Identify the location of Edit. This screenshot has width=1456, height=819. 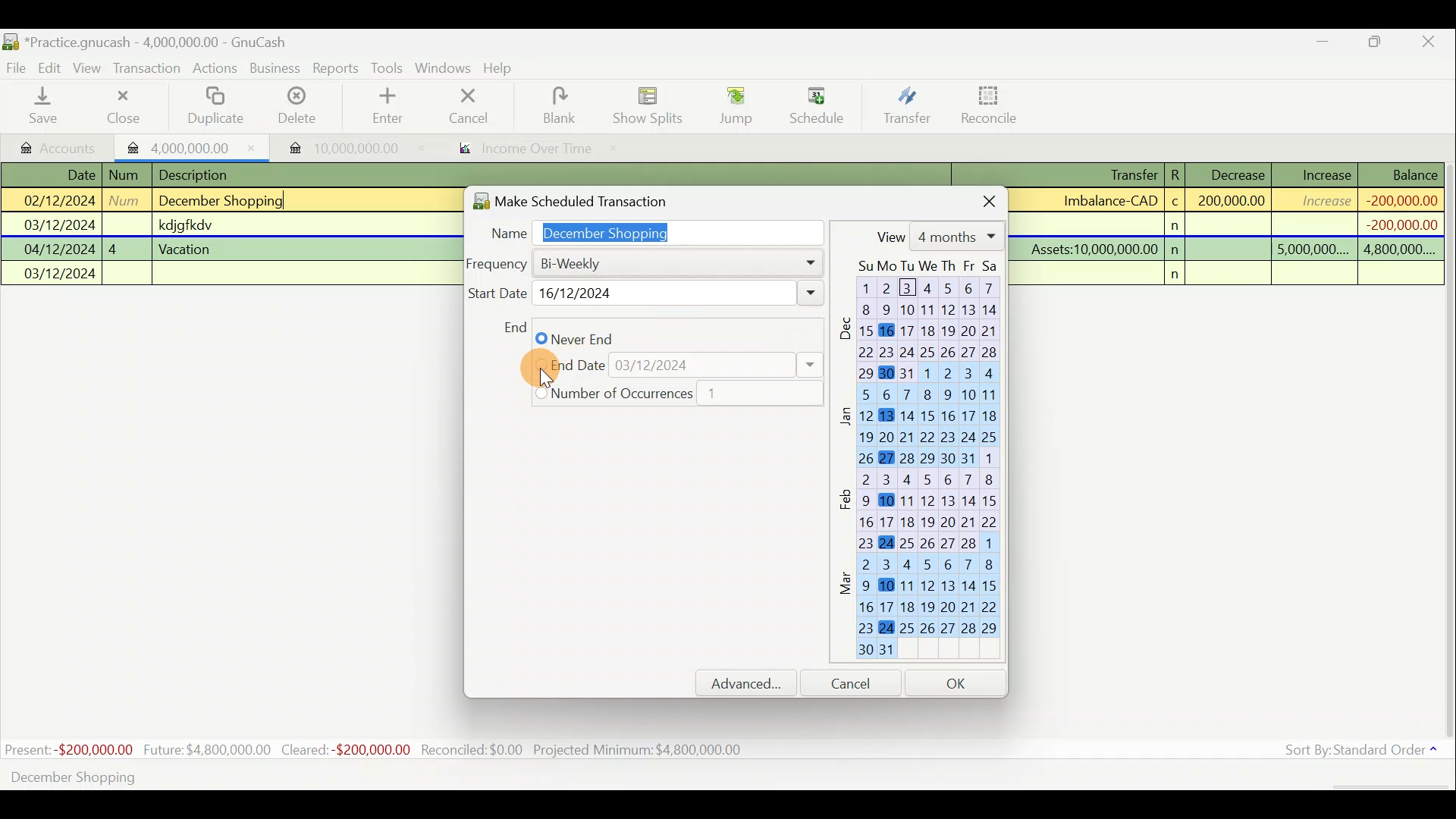
(52, 67).